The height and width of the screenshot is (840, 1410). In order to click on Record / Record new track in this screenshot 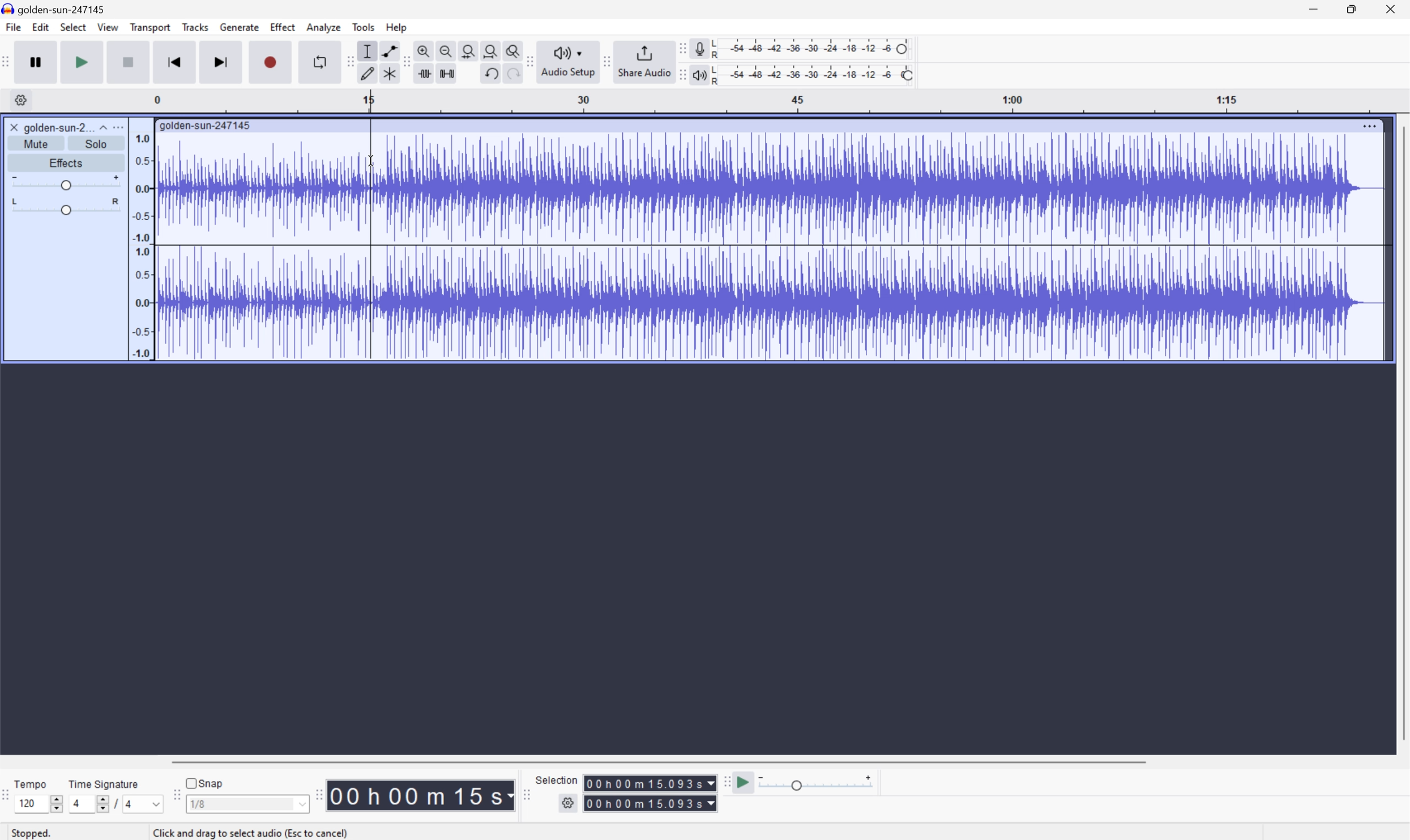, I will do `click(272, 62)`.